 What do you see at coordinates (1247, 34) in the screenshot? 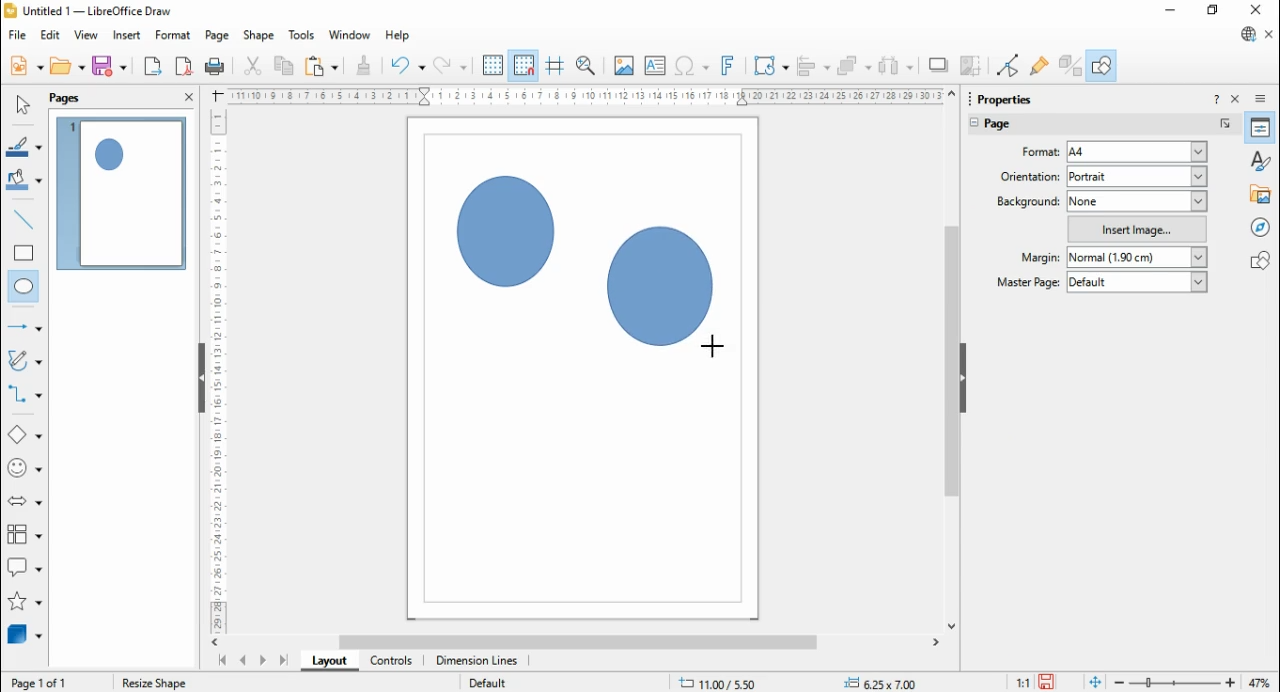
I see `libre office update` at bounding box center [1247, 34].